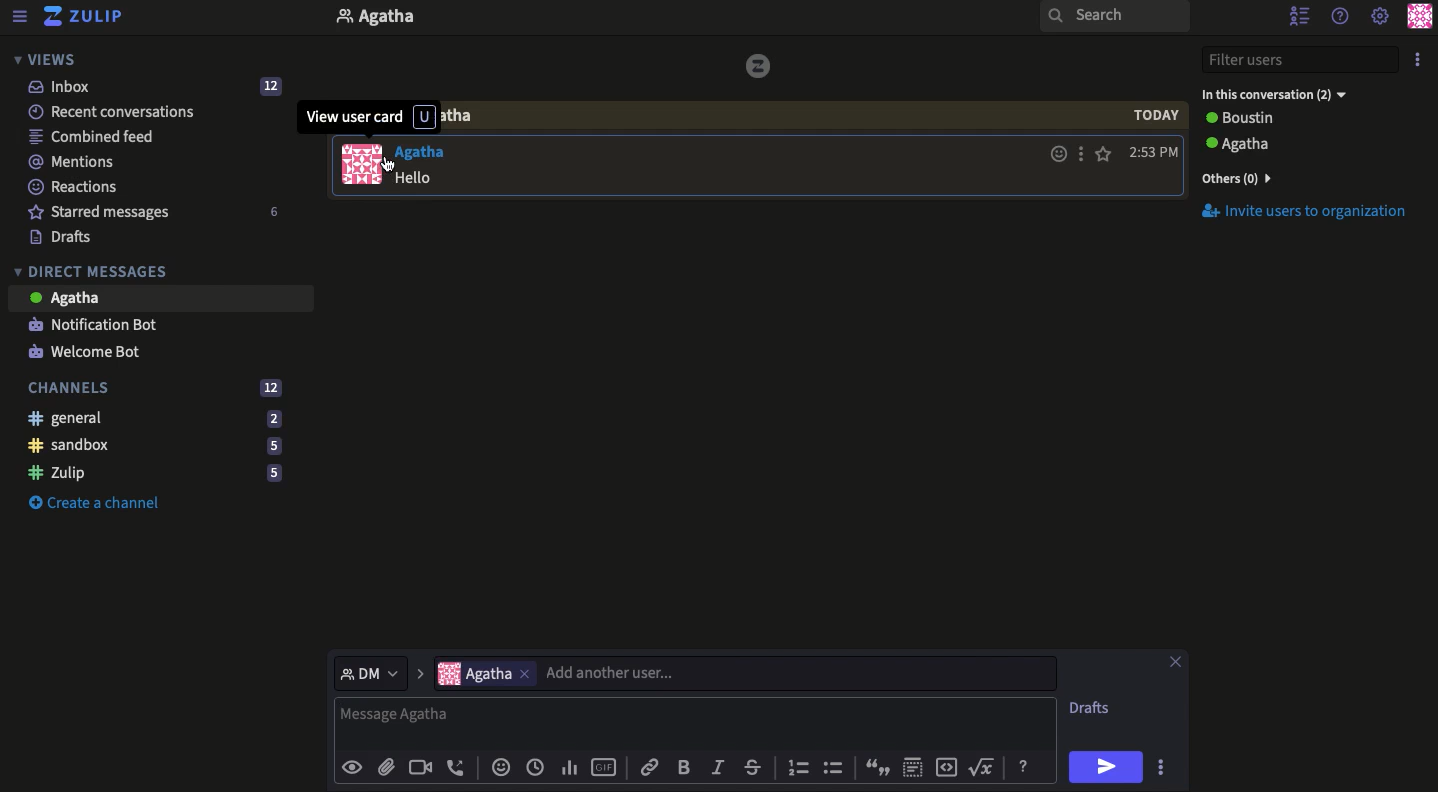 The width and height of the screenshot is (1438, 792). I want to click on Recent conversations, so click(119, 111).